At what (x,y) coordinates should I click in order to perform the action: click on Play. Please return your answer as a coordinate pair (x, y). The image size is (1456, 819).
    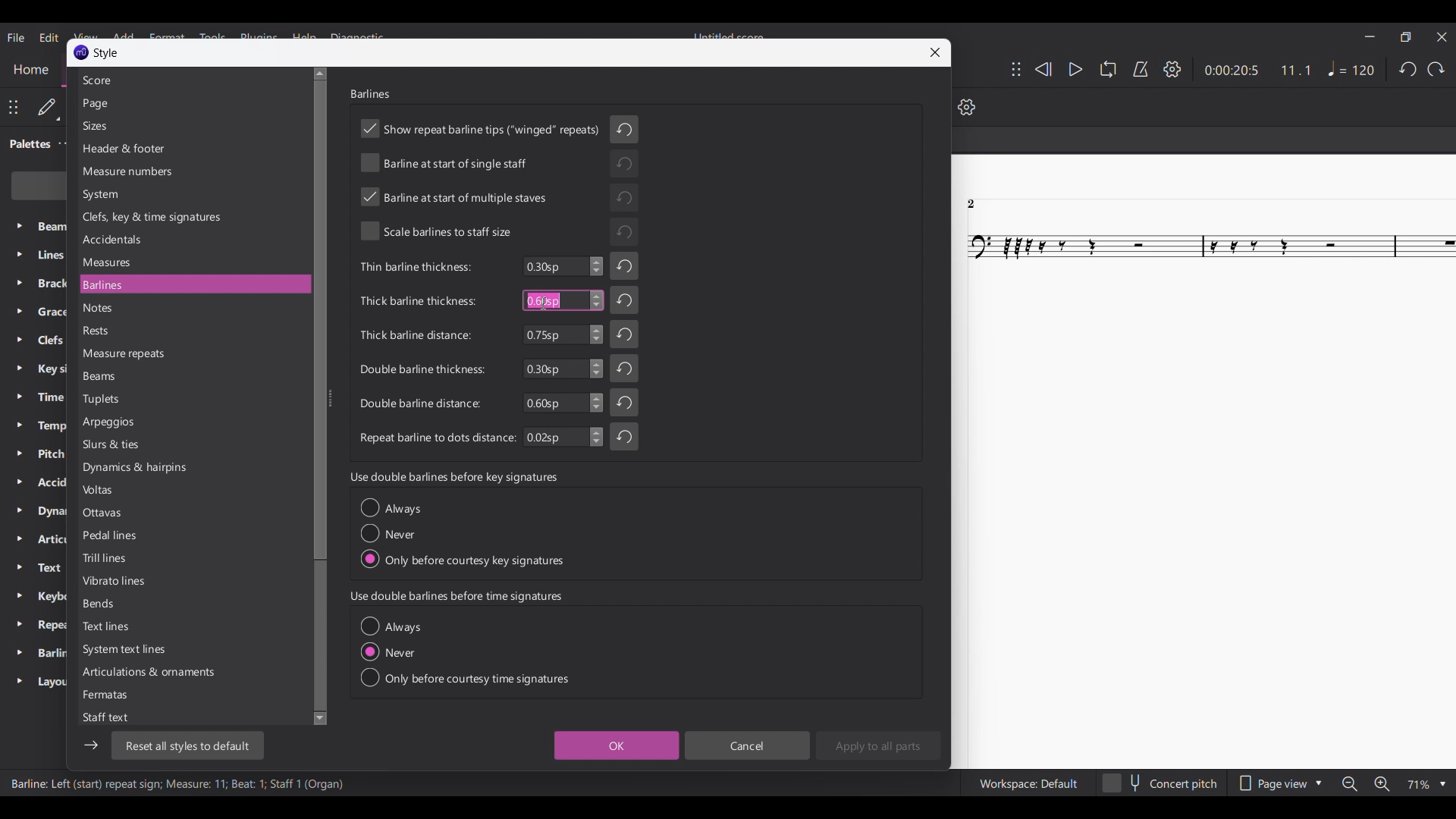
    Looking at the image, I should click on (1076, 70).